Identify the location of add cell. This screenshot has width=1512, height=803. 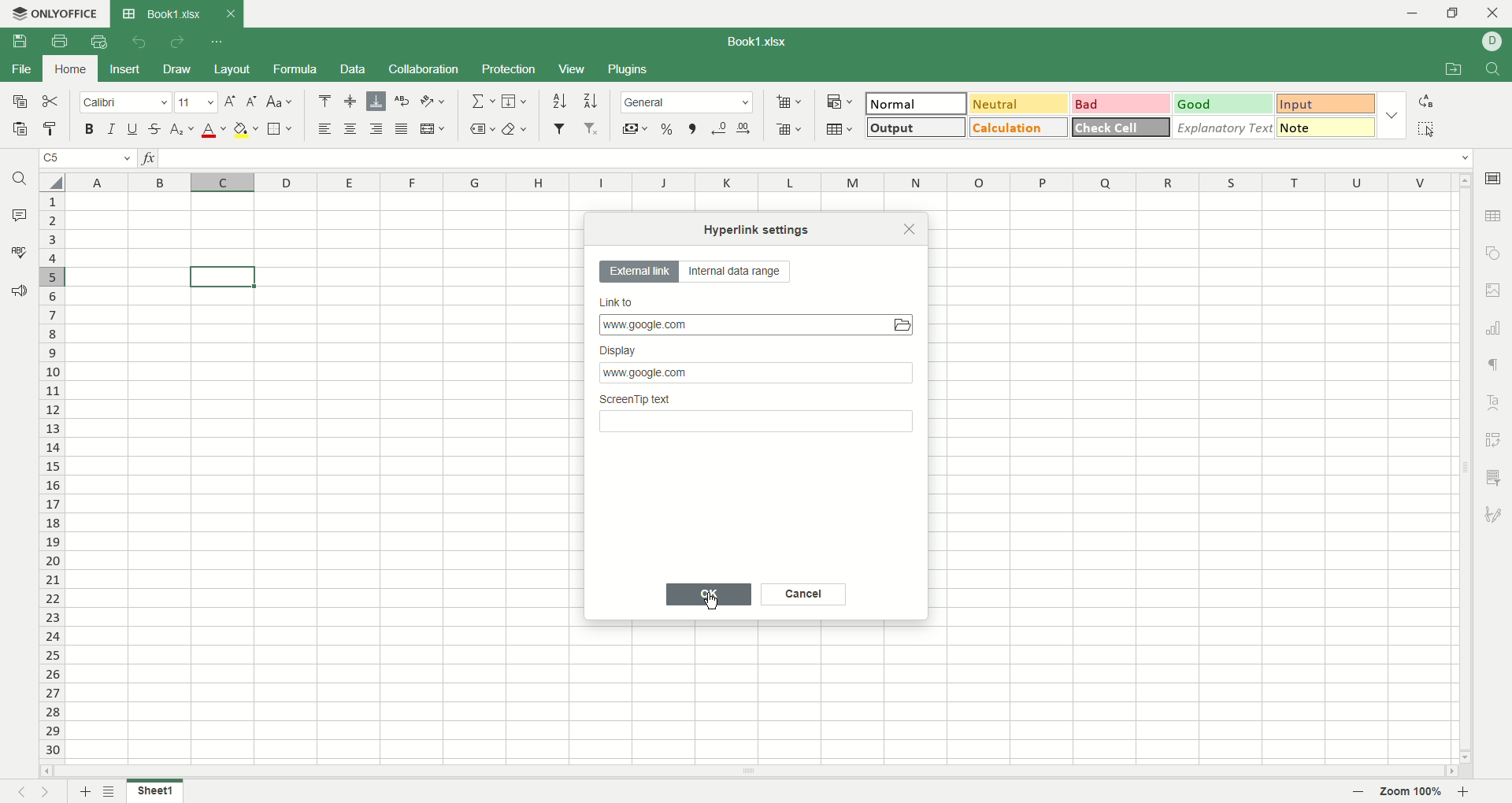
(789, 102).